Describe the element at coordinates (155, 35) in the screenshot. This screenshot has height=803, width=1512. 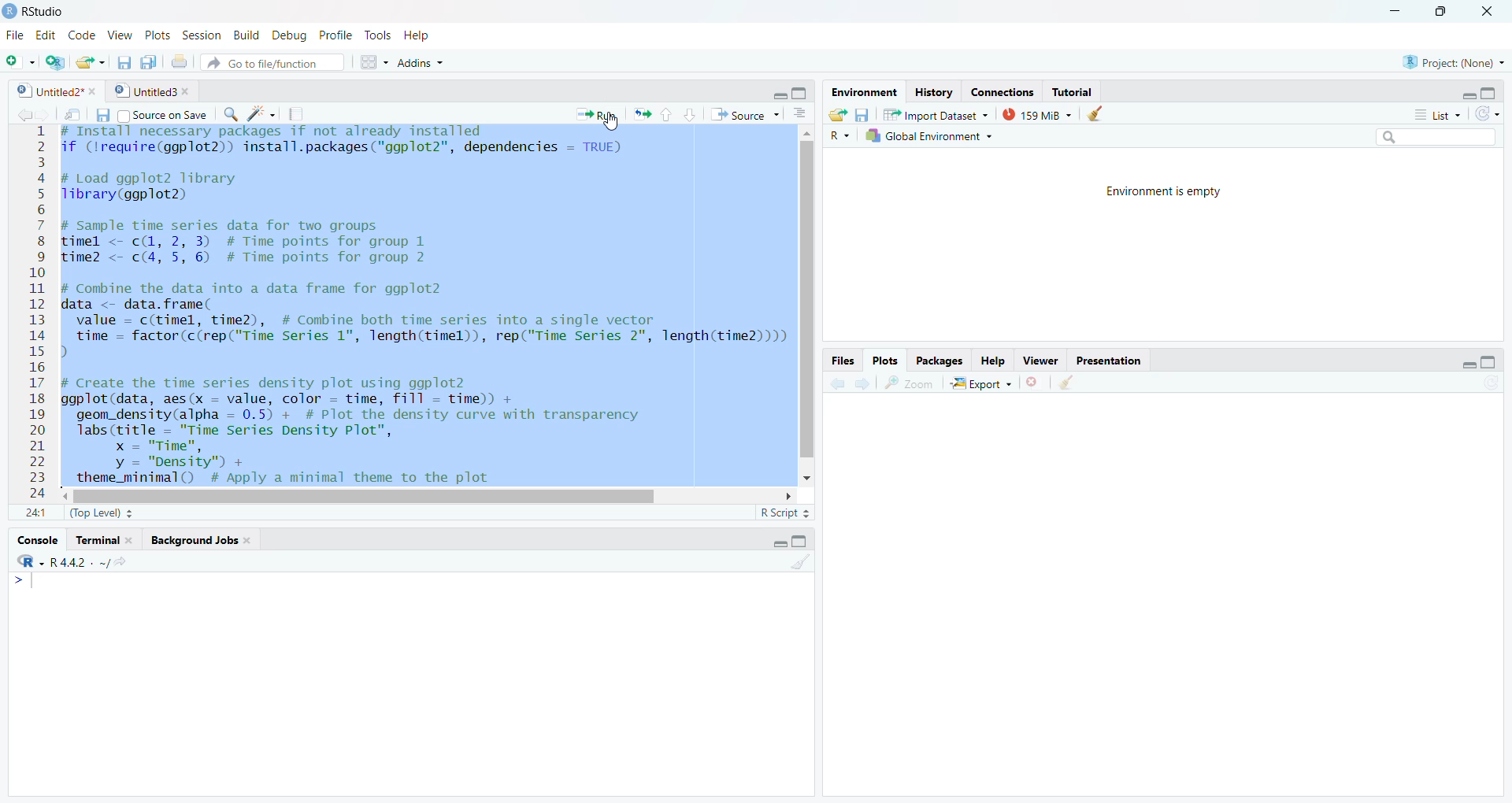
I see `Plots` at that location.